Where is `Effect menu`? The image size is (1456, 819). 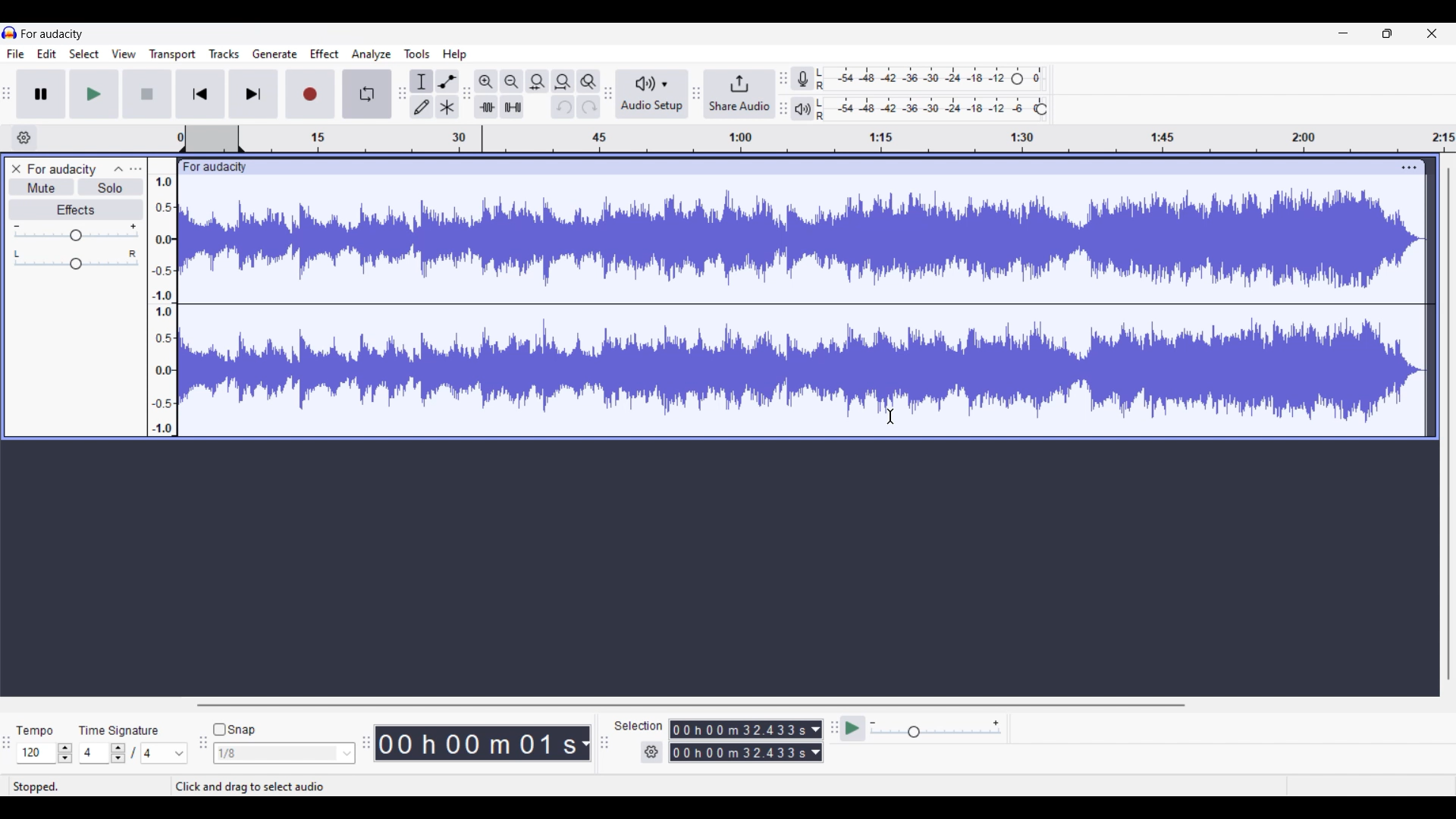 Effect menu is located at coordinates (325, 54).